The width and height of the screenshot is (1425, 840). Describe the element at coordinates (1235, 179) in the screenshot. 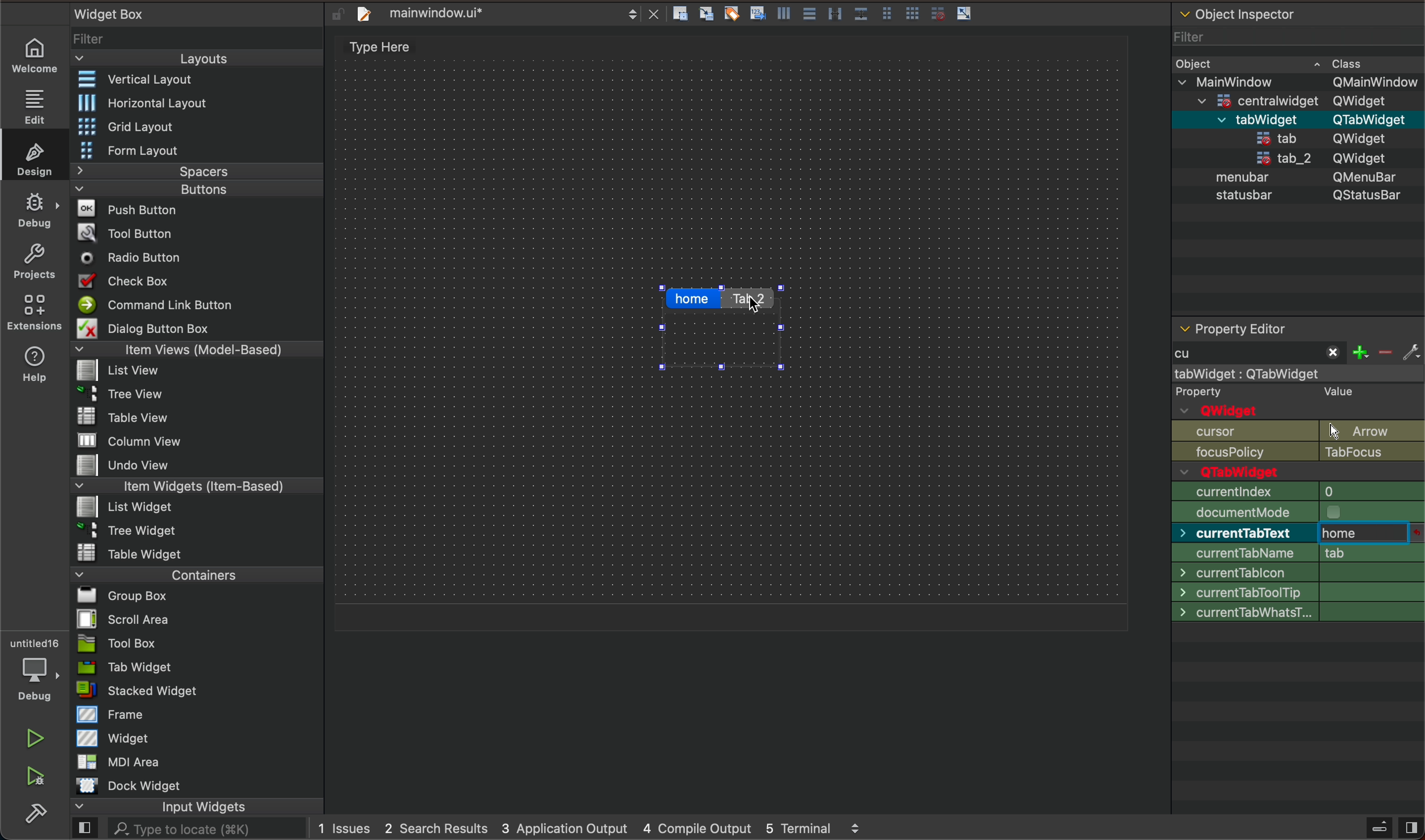

I see `menubar` at that location.